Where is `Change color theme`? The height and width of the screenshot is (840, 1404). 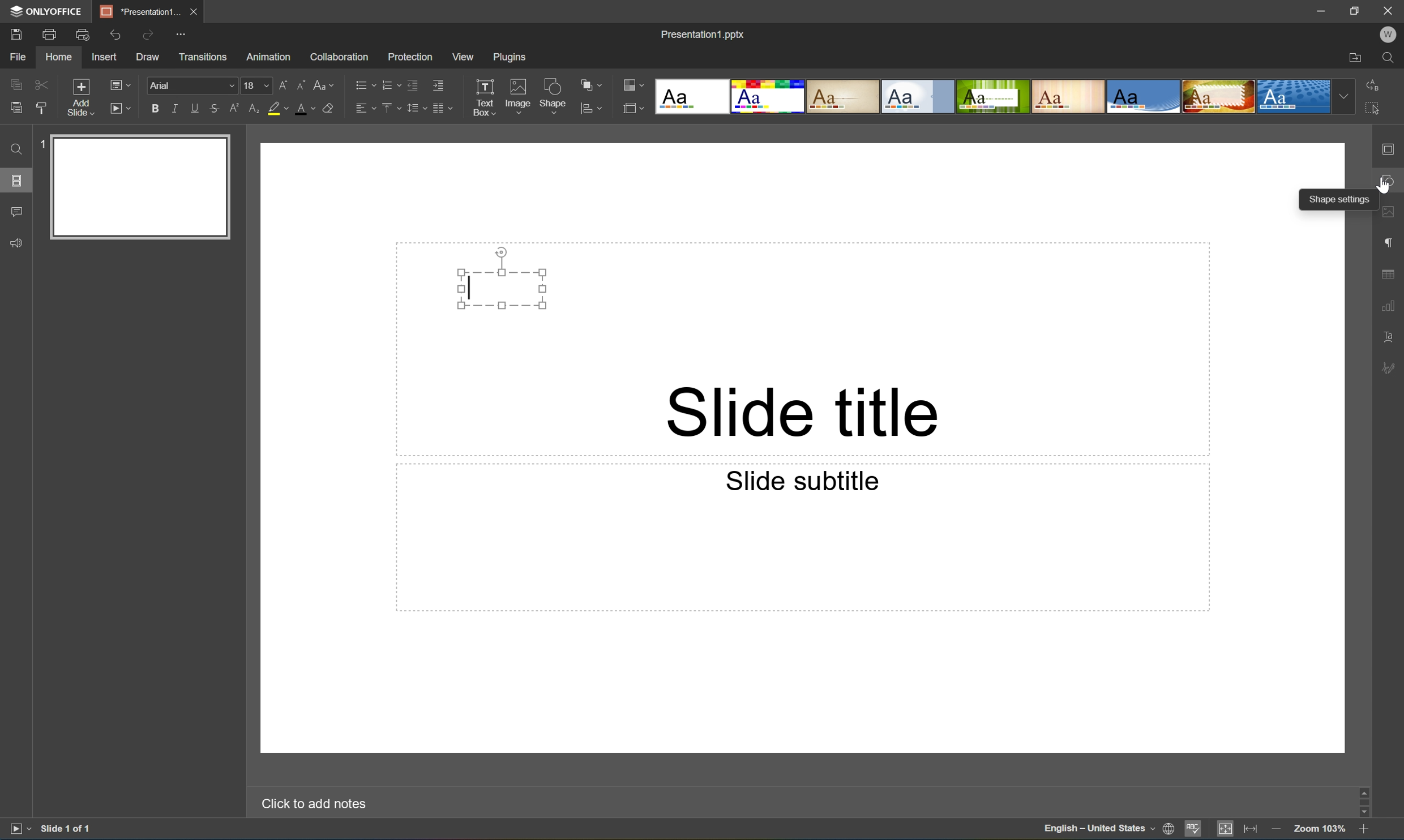
Change color theme is located at coordinates (633, 86).